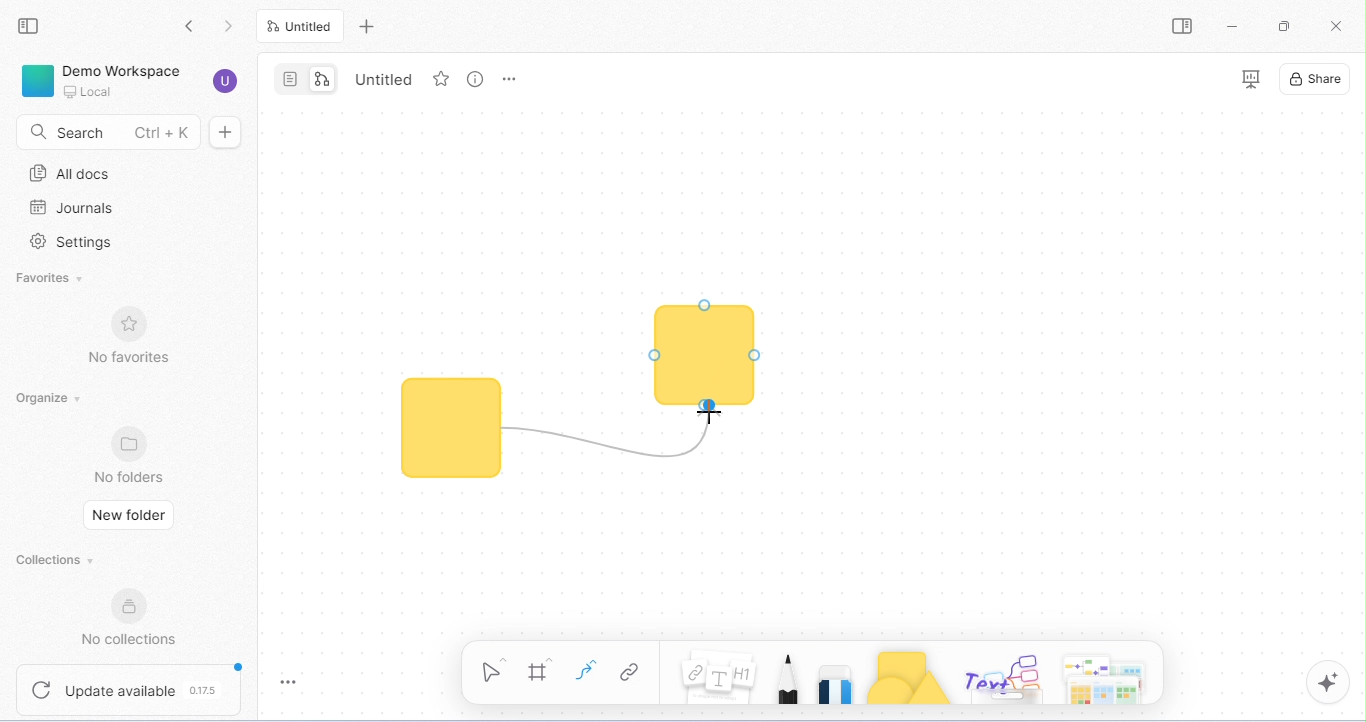  I want to click on settings, so click(70, 244).